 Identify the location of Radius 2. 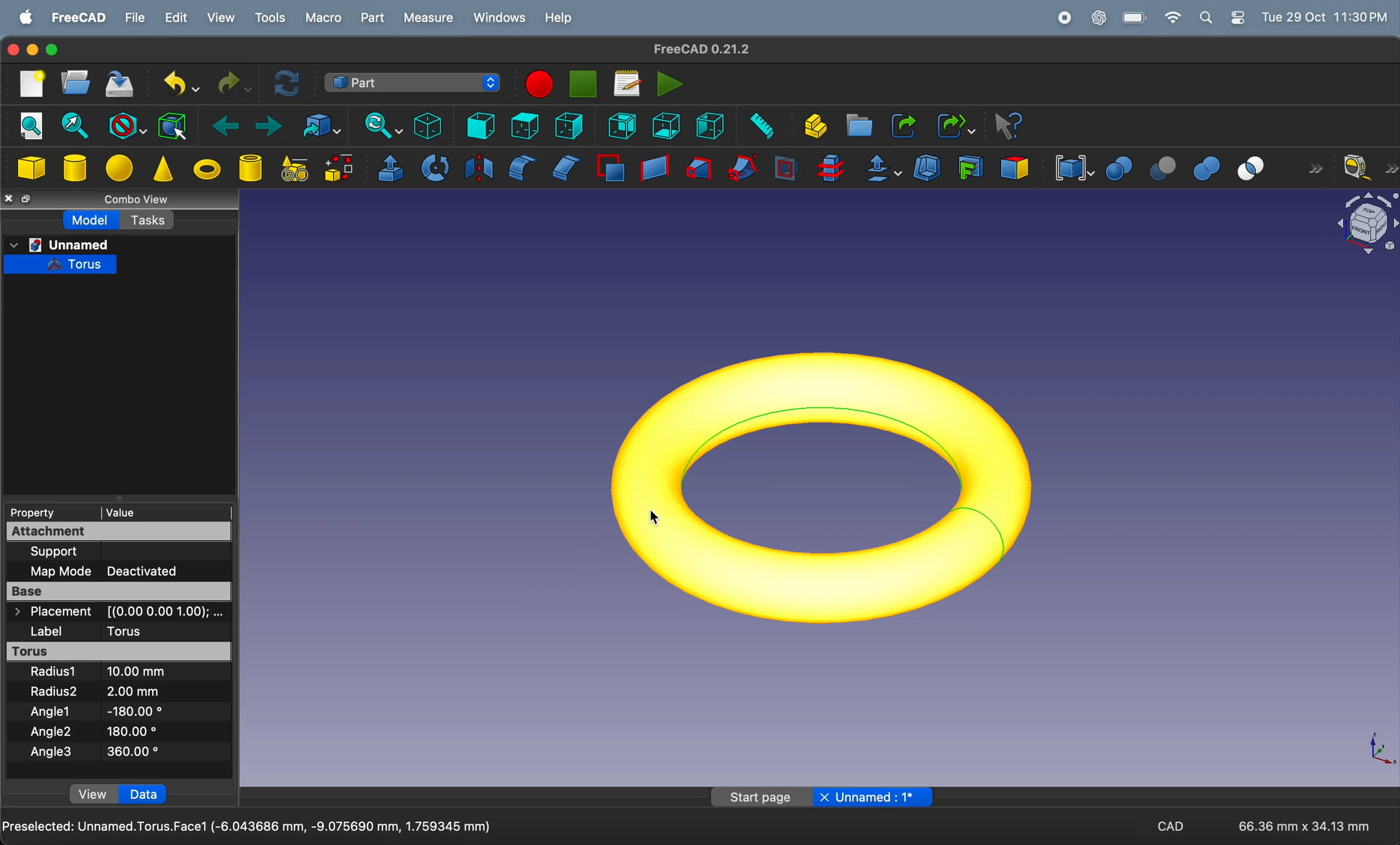
(53, 691).